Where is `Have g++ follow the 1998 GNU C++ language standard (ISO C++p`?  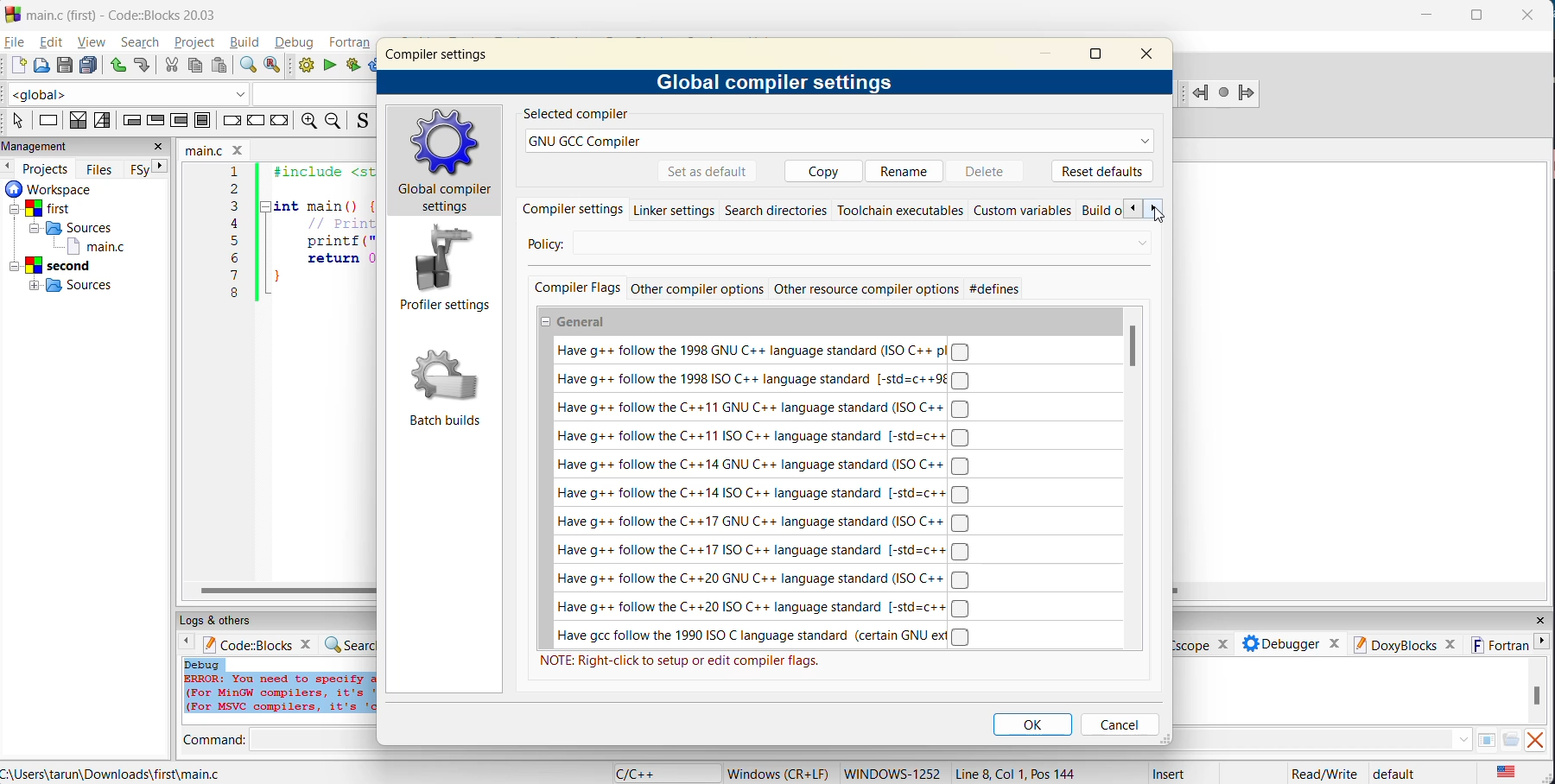 Have g++ follow the 1998 GNU C++ language standard (ISO C++p is located at coordinates (768, 351).